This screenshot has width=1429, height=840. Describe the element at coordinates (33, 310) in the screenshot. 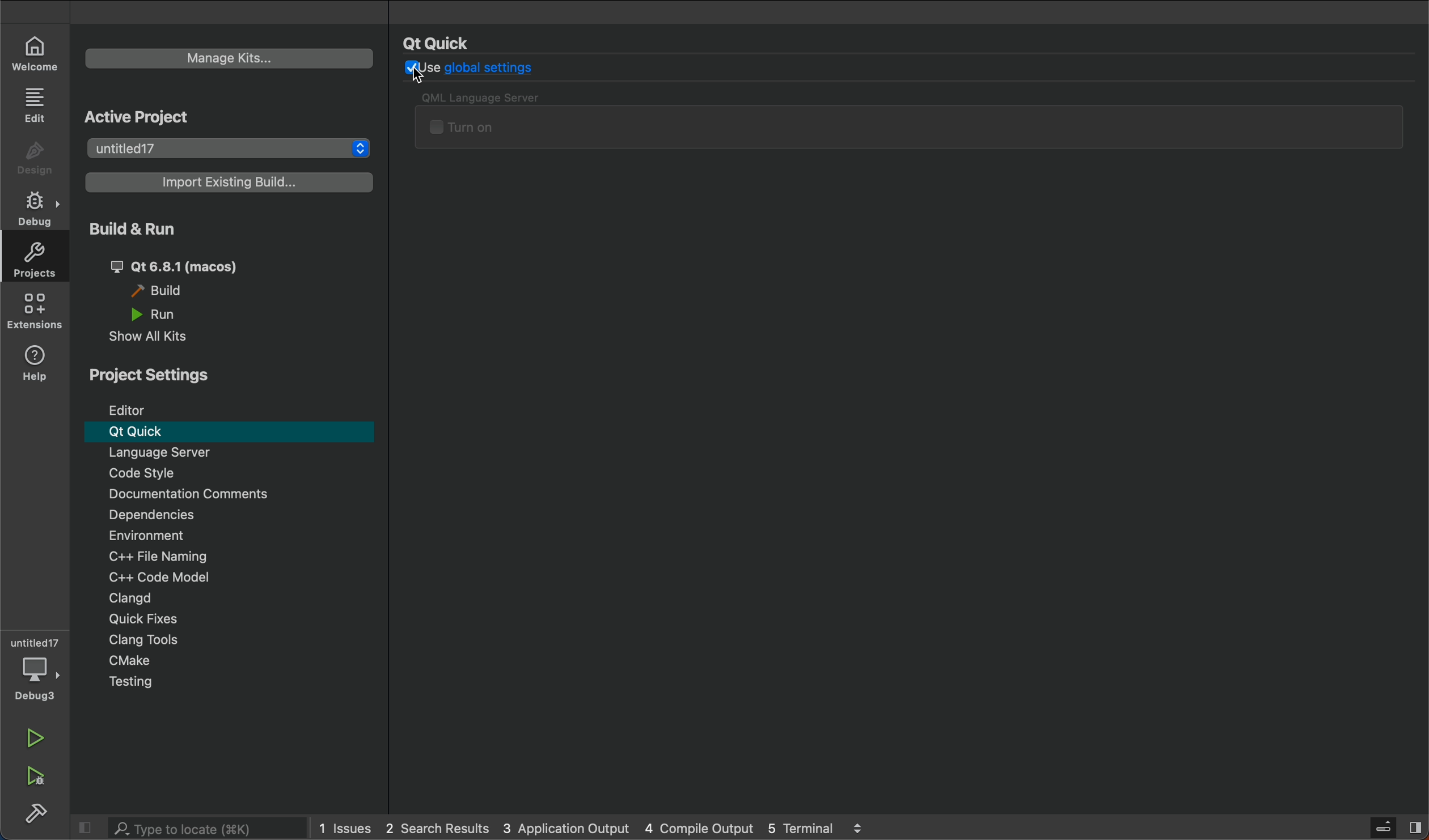

I see `Extension ` at that location.